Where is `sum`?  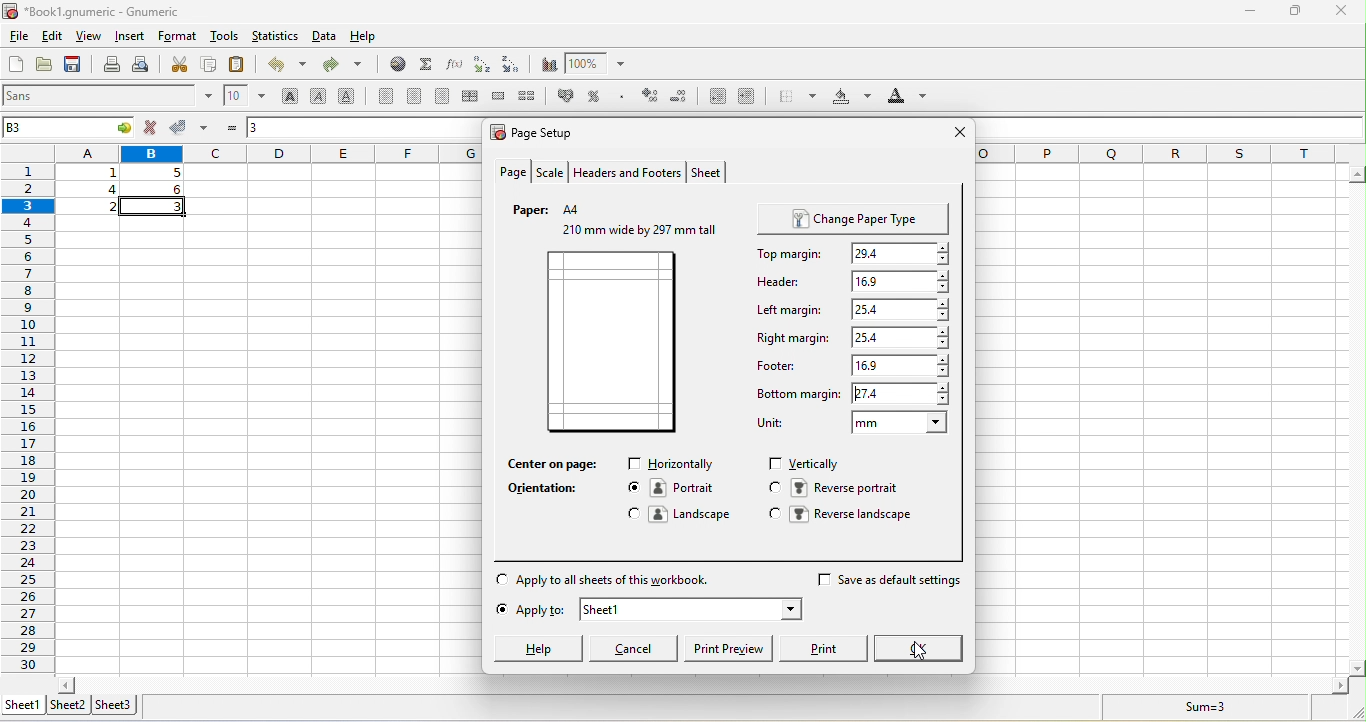 sum is located at coordinates (426, 64).